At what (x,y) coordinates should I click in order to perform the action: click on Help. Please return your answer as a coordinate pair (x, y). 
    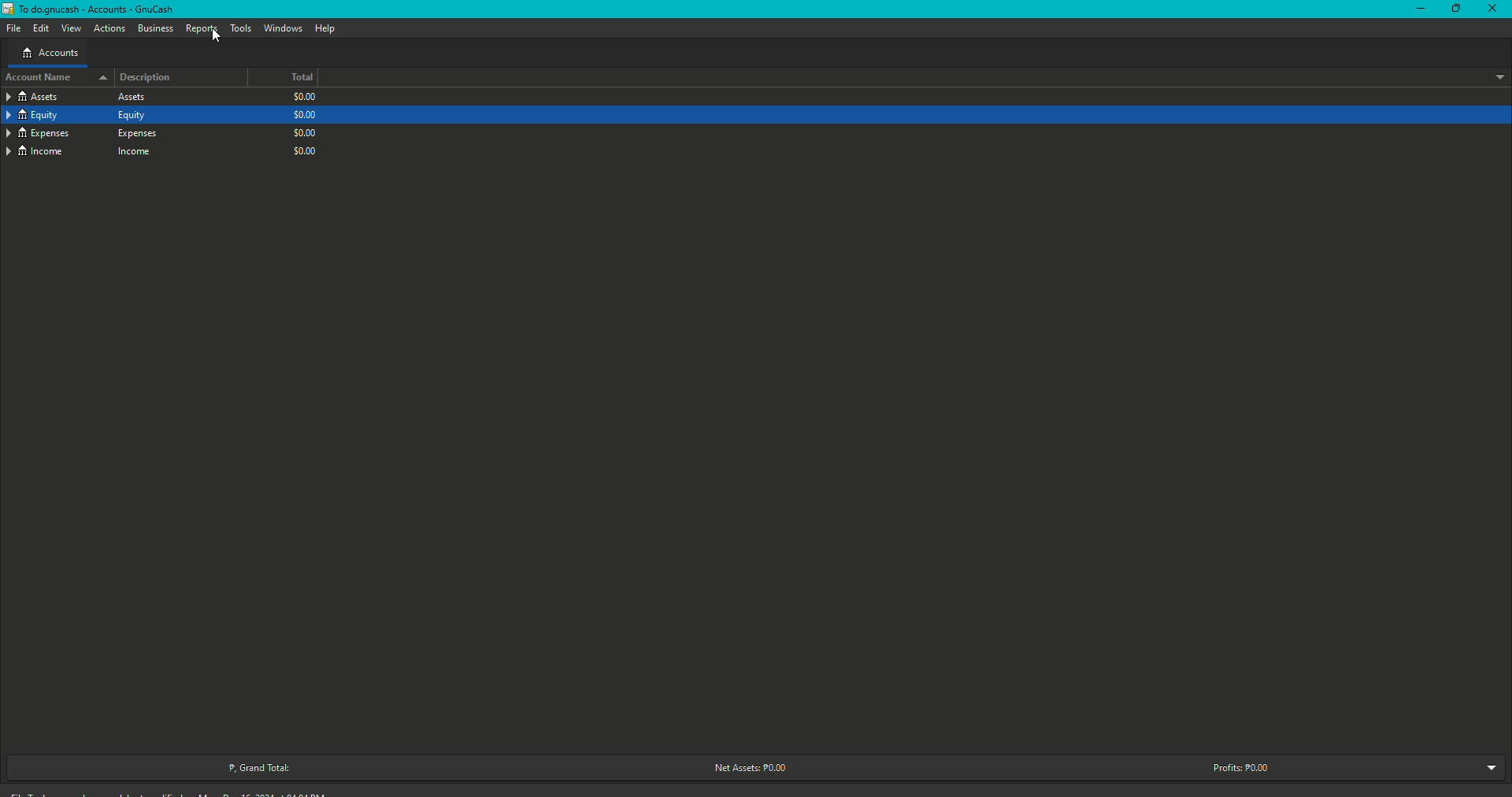
    Looking at the image, I should click on (326, 28).